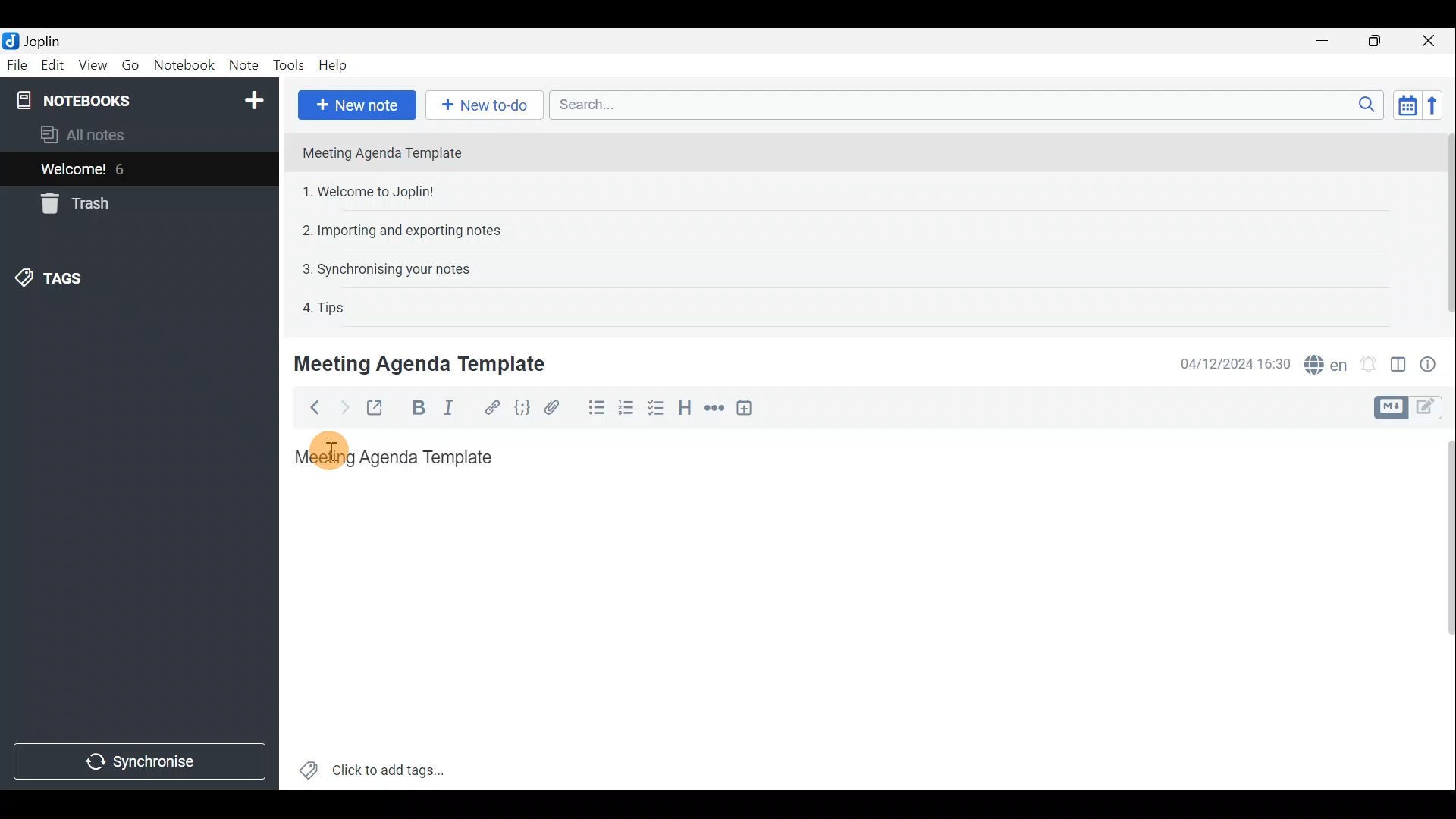  I want to click on Forward, so click(342, 407).